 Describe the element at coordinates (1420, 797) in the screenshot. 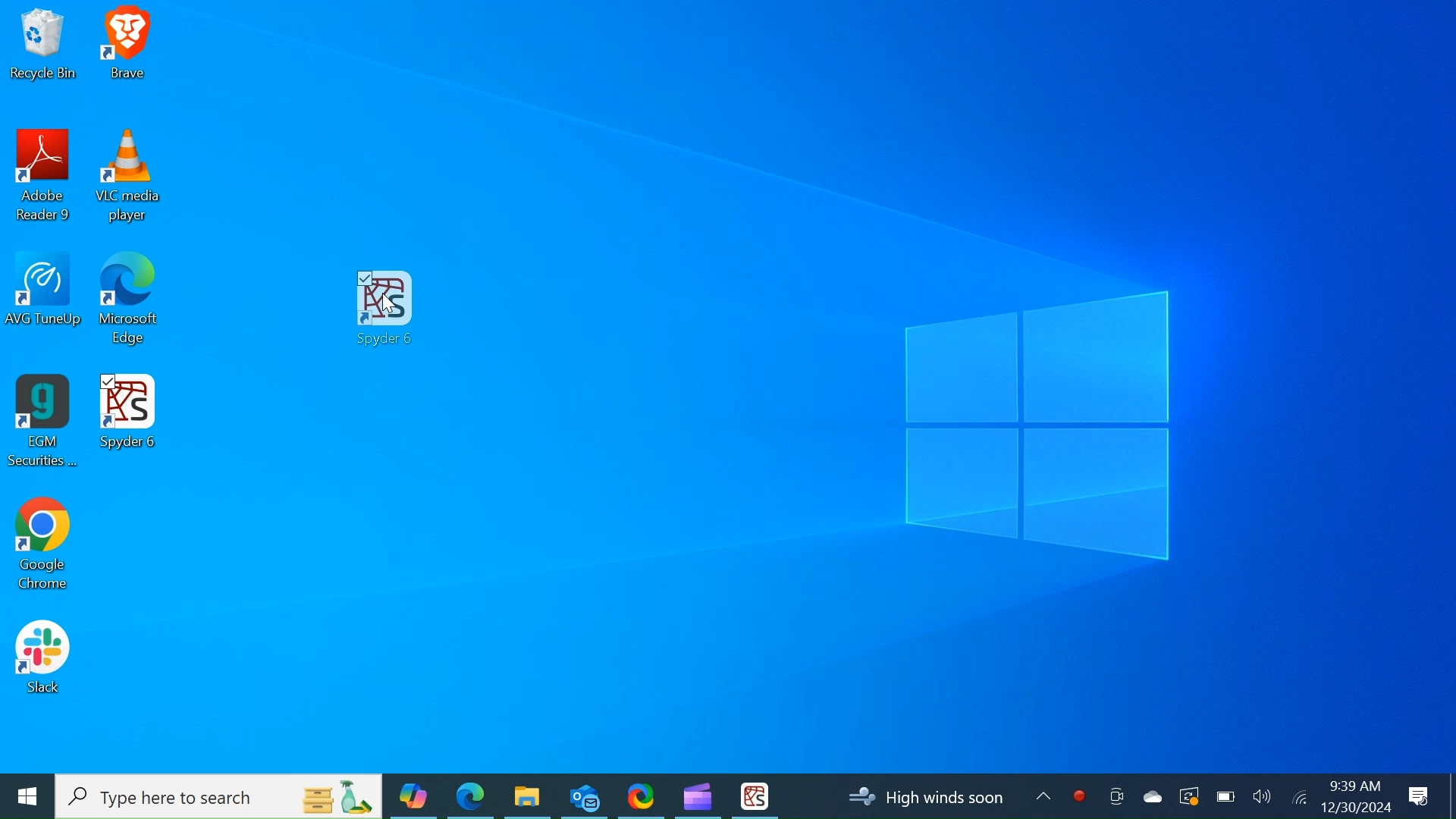

I see `Notification` at that location.